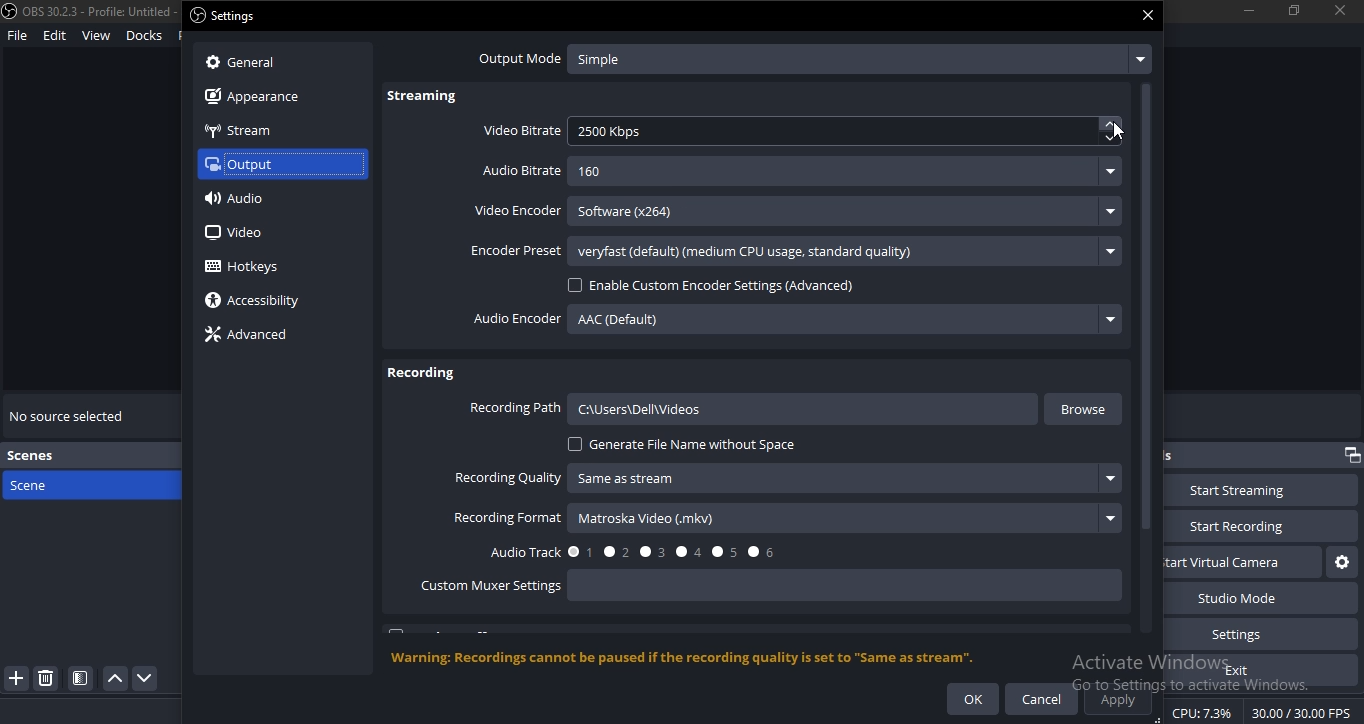 Image resolution: width=1364 pixels, height=724 pixels. Describe the element at coordinates (1259, 524) in the screenshot. I see `start recording` at that location.